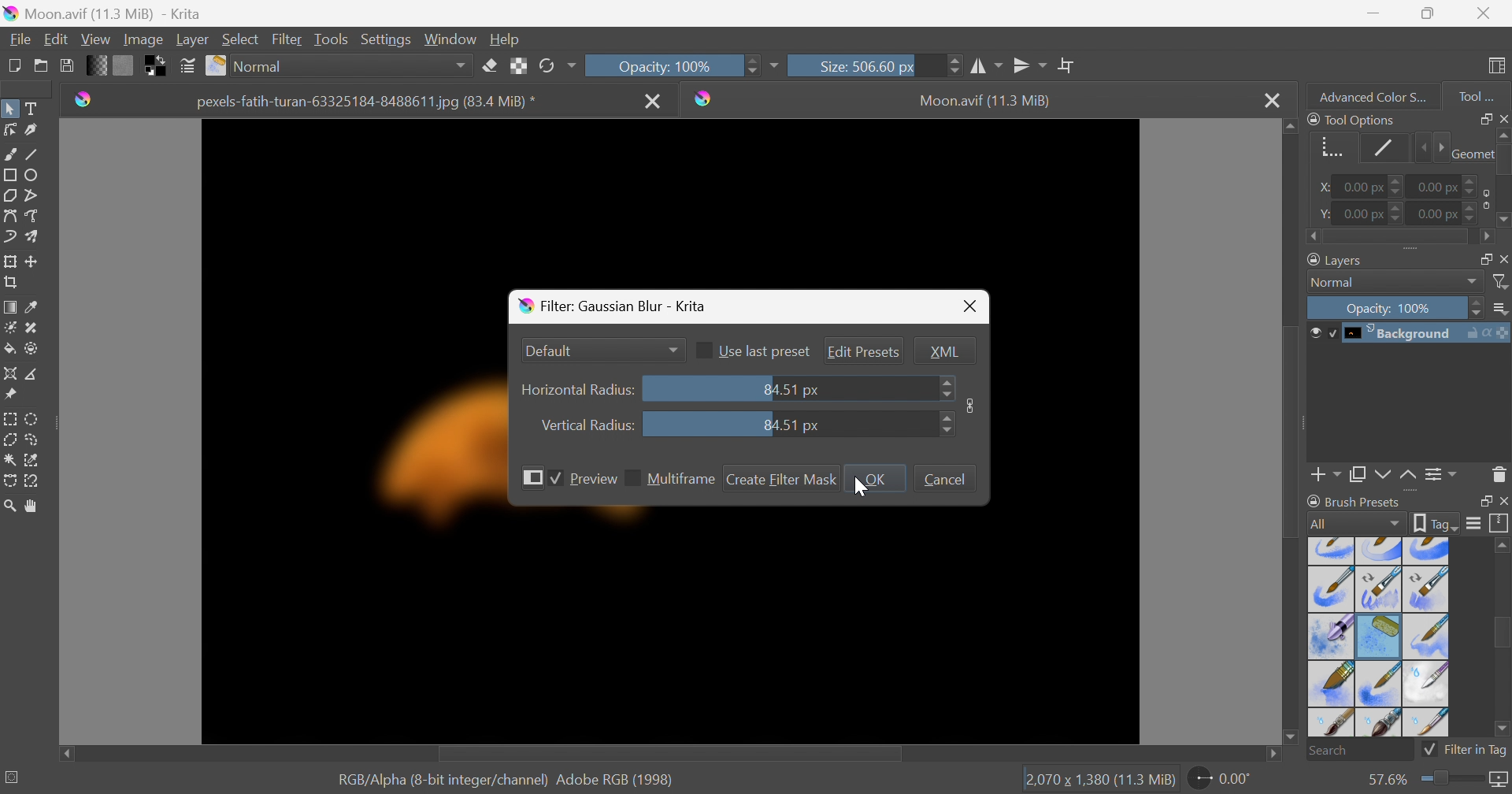 The width and height of the screenshot is (1512, 794). What do you see at coordinates (1501, 280) in the screenshot?
I see `Filter by name` at bounding box center [1501, 280].